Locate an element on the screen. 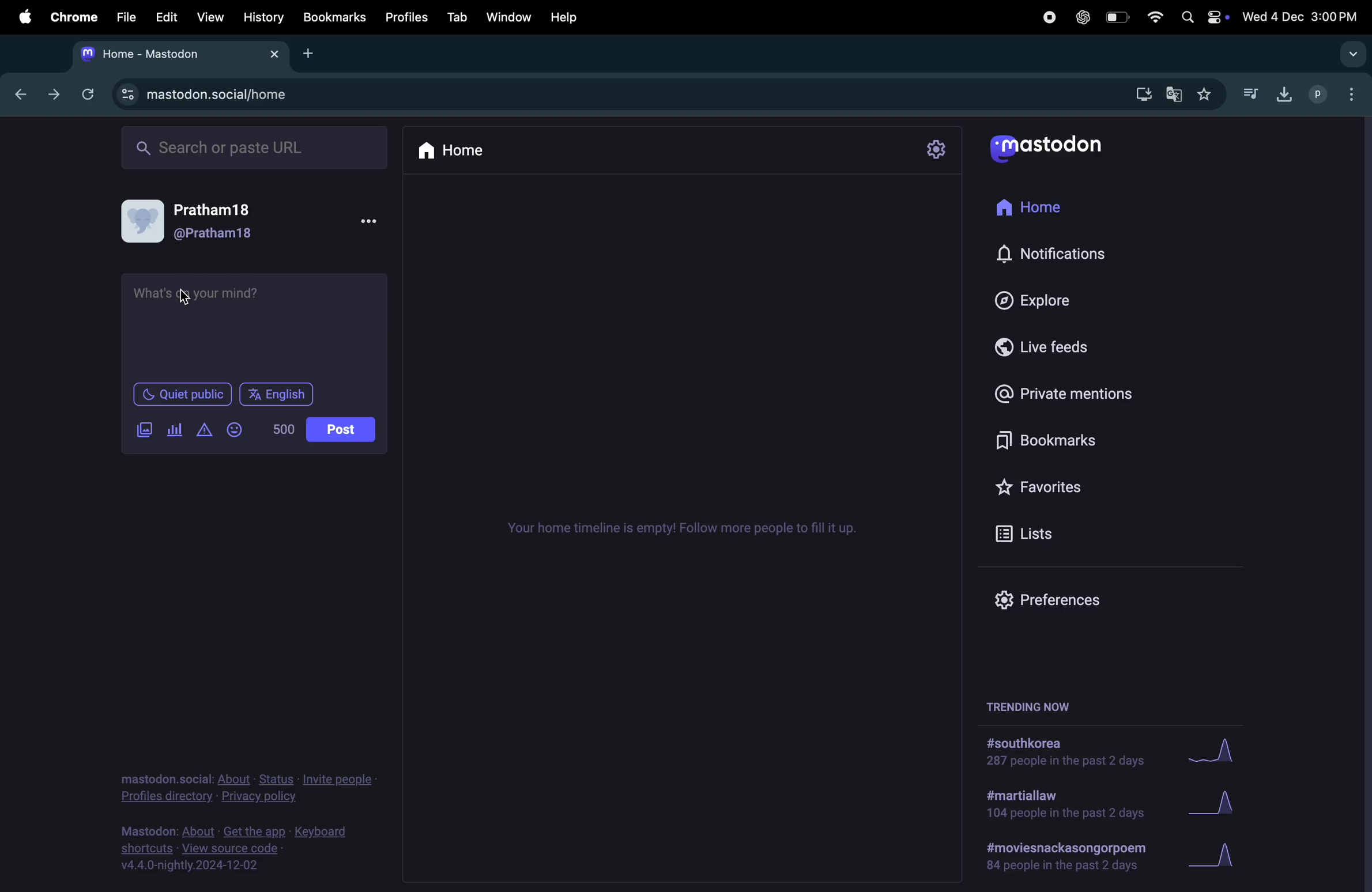  window is located at coordinates (507, 16).